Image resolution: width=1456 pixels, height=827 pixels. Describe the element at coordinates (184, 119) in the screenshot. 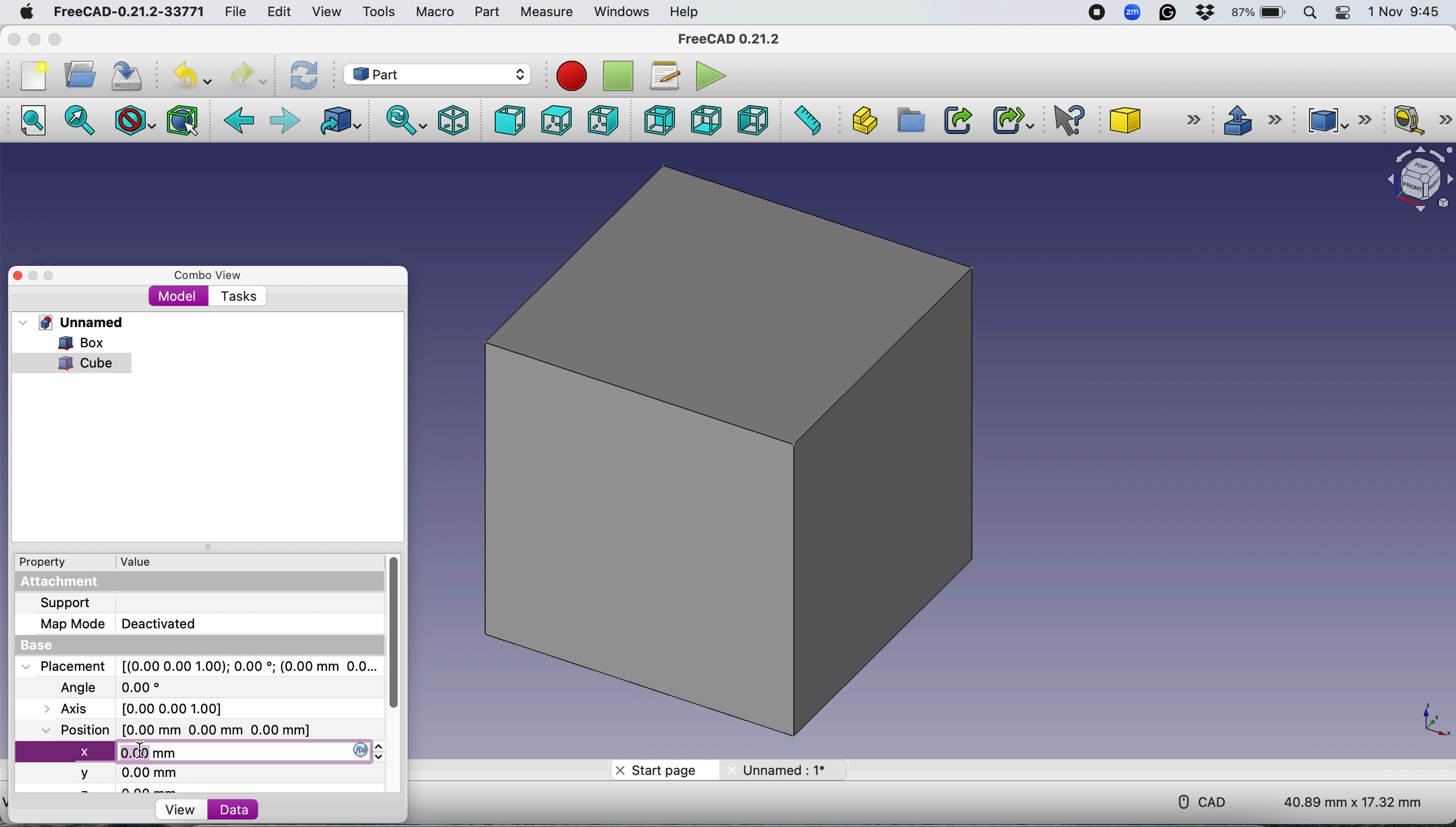

I see `Bounding box` at that location.